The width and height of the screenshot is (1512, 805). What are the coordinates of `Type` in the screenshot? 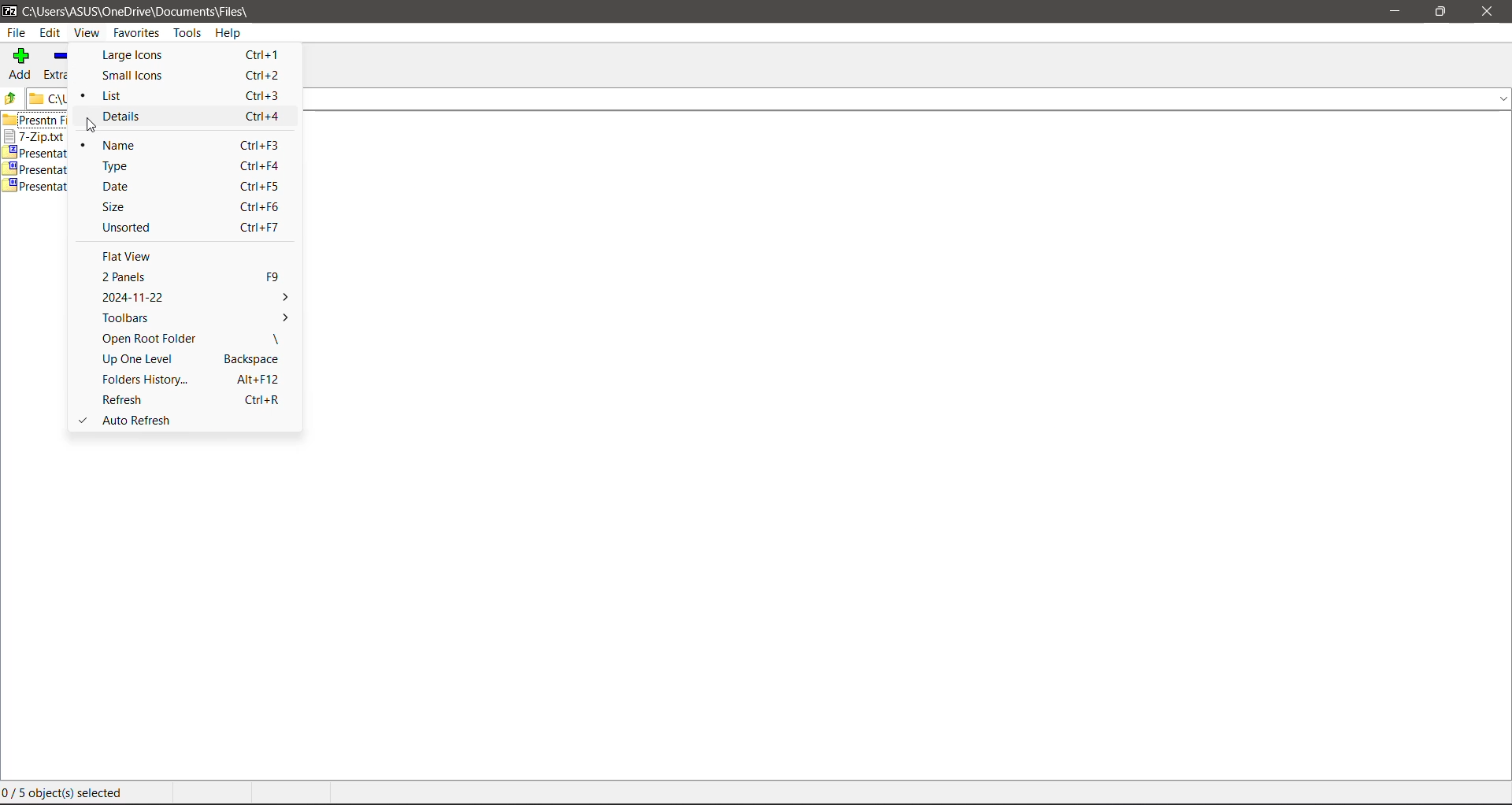 It's located at (192, 167).